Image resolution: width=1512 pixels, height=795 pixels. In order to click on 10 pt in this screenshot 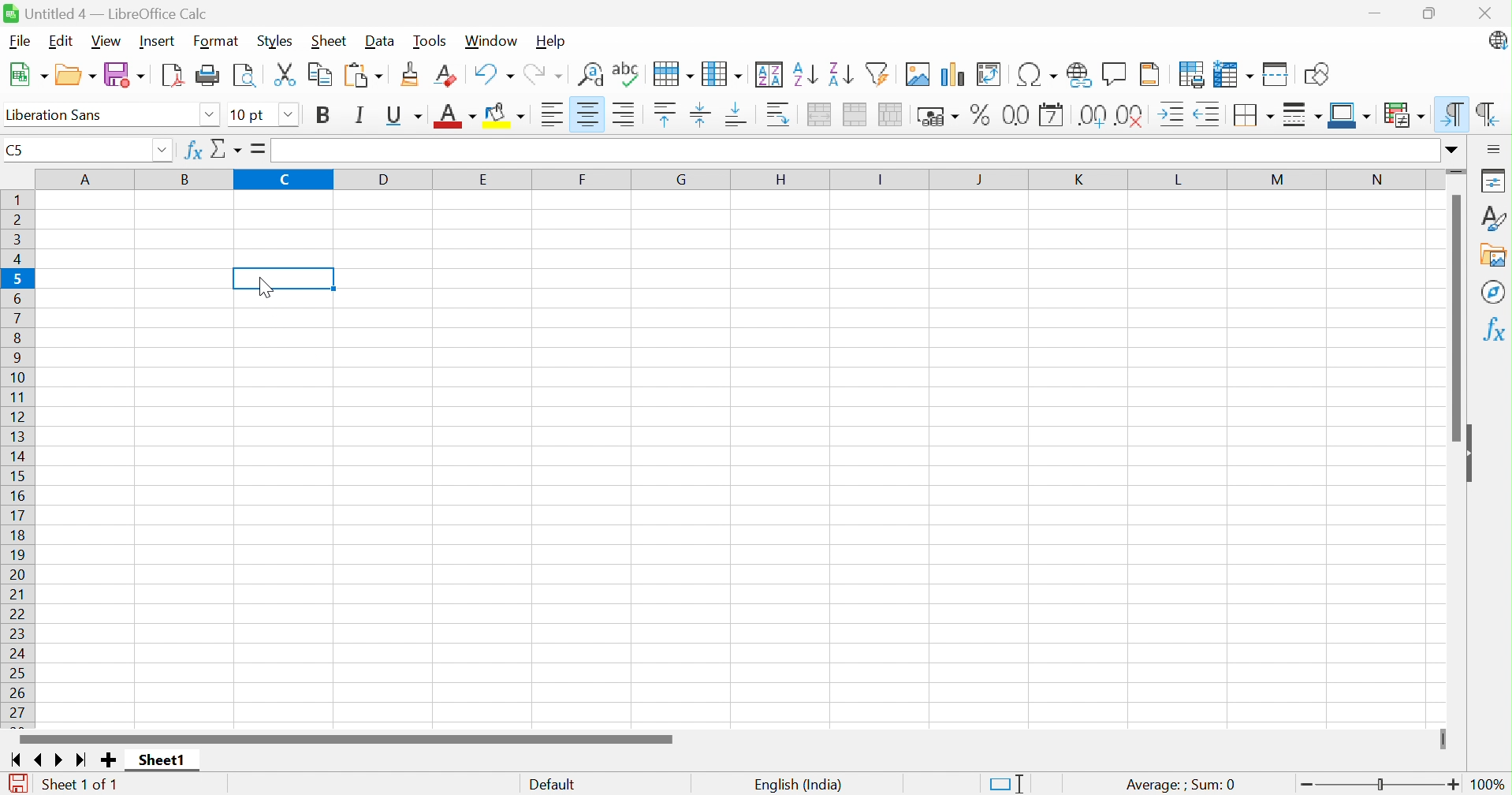, I will do `click(249, 114)`.